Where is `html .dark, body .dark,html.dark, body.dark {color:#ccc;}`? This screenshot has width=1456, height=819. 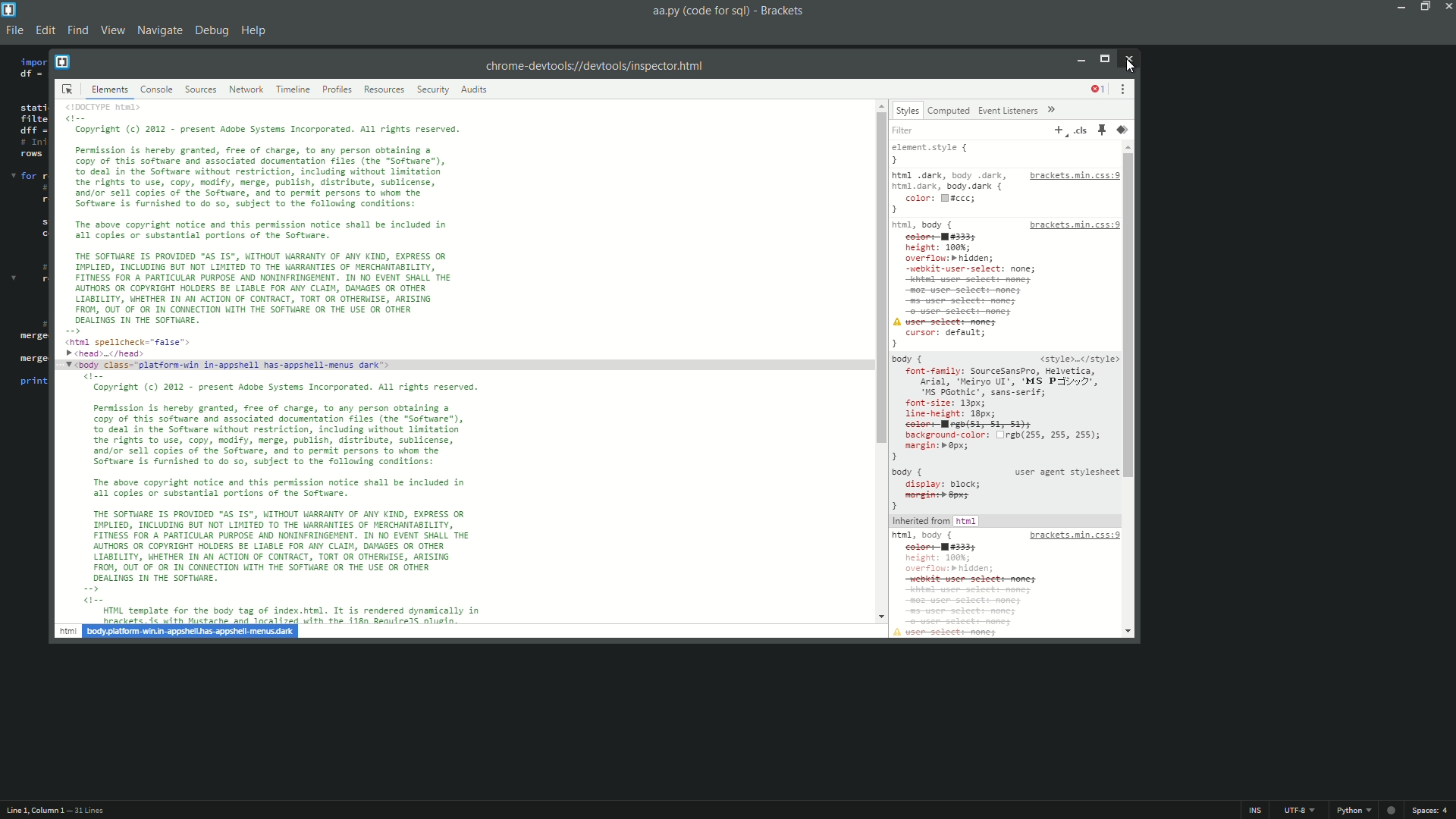
html .dark, body .dark,html.dark, body.dark {color:#ccc;} is located at coordinates (951, 193).